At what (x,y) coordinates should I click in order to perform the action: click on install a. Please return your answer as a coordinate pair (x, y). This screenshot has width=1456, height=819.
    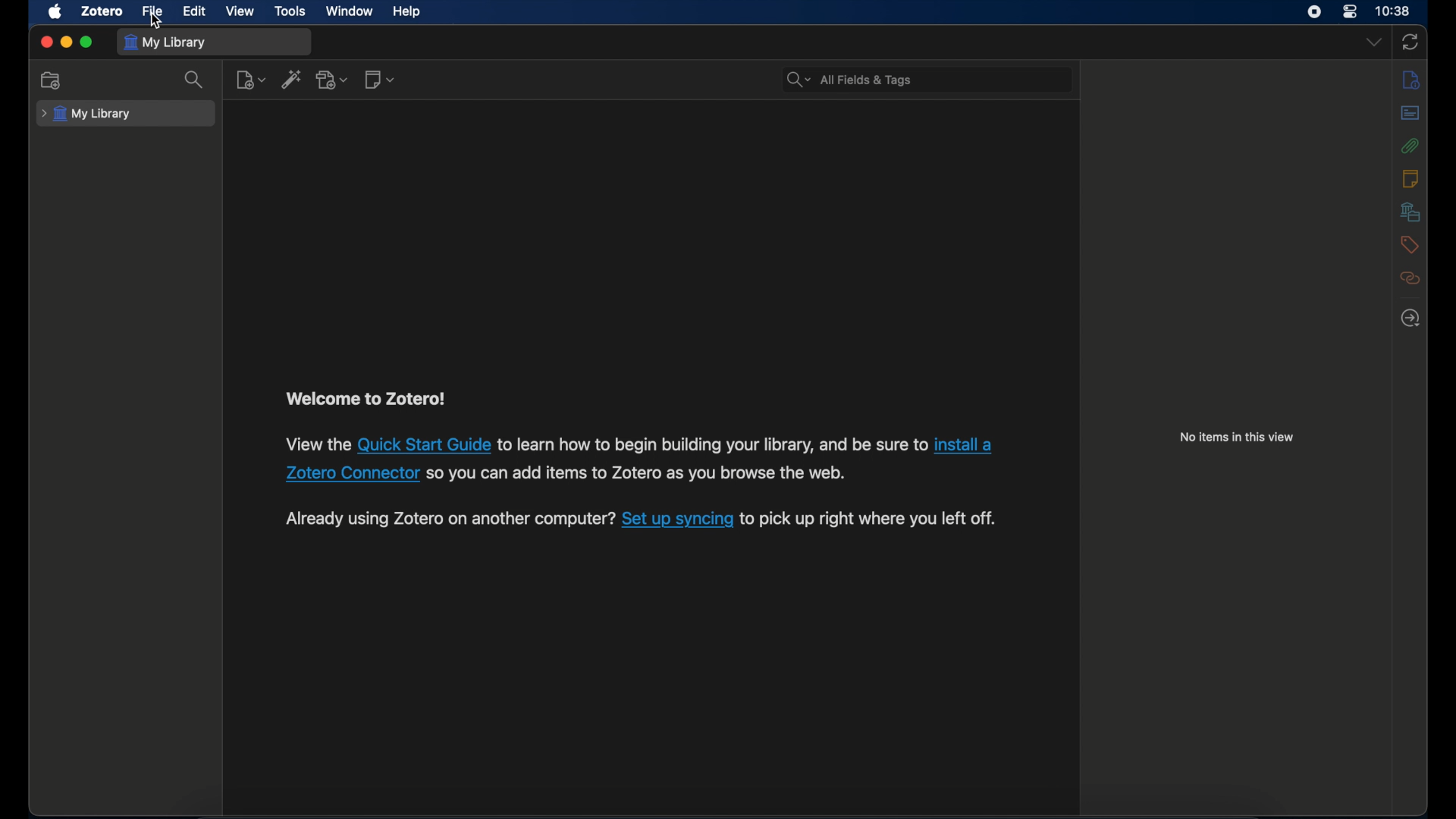
    Looking at the image, I should click on (965, 446).